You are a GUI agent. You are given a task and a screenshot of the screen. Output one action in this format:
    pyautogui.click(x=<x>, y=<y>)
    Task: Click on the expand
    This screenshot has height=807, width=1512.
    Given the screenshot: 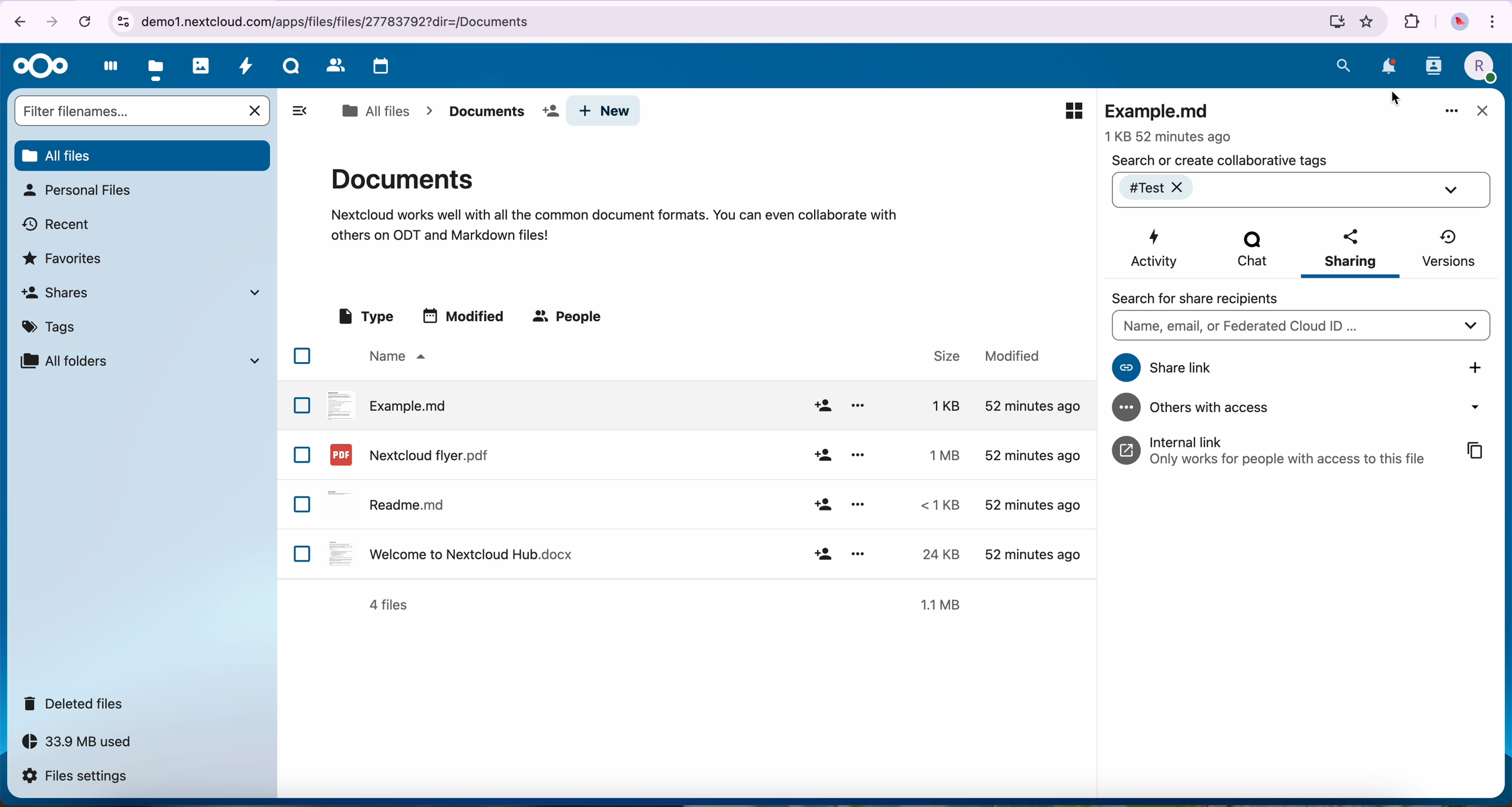 What is the action you would take?
    pyautogui.click(x=1454, y=190)
    